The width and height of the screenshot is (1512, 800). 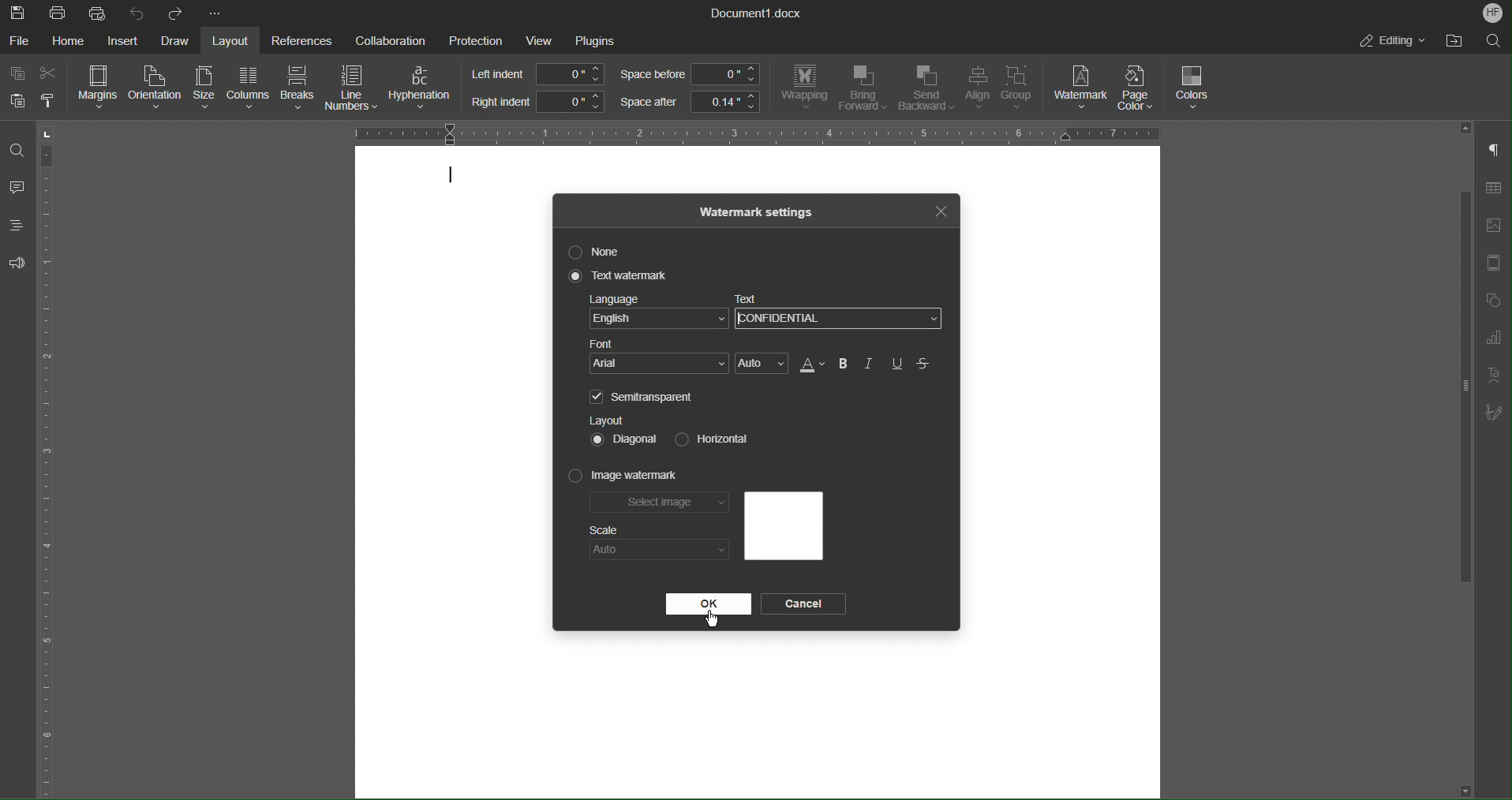 What do you see at coordinates (51, 73) in the screenshot?
I see `Cut` at bounding box center [51, 73].